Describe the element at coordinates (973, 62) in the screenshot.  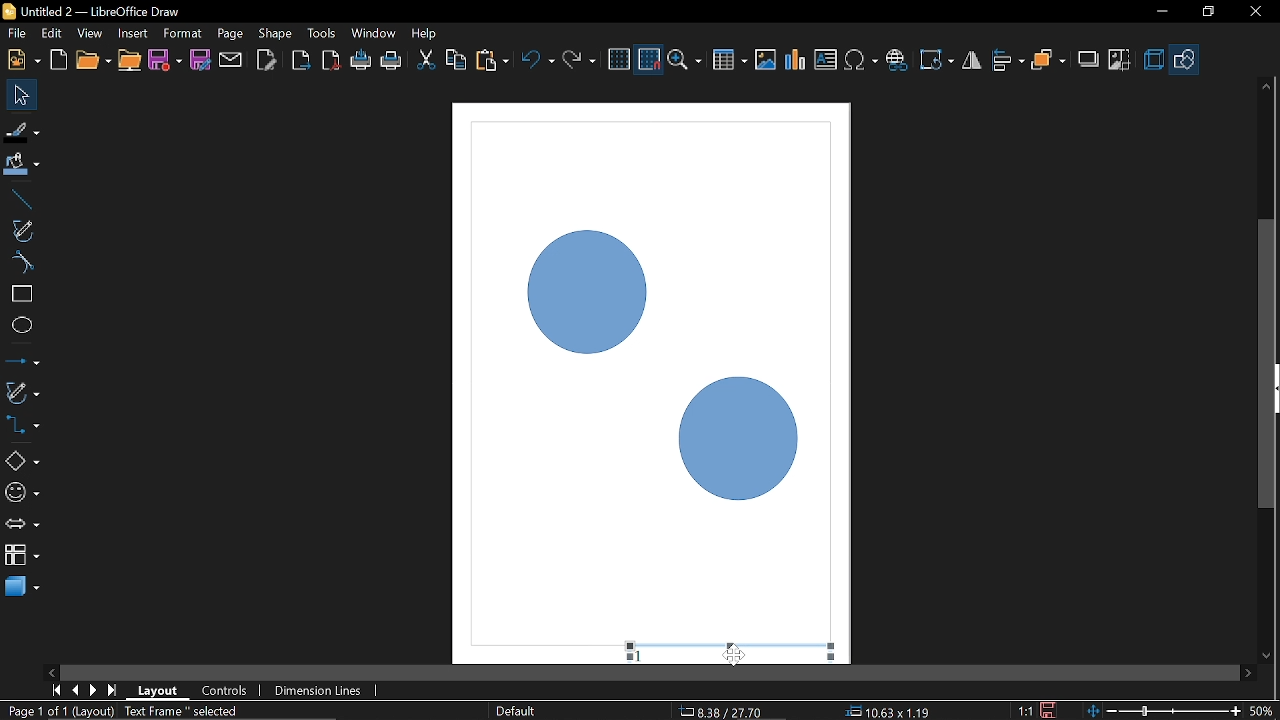
I see `flip` at that location.